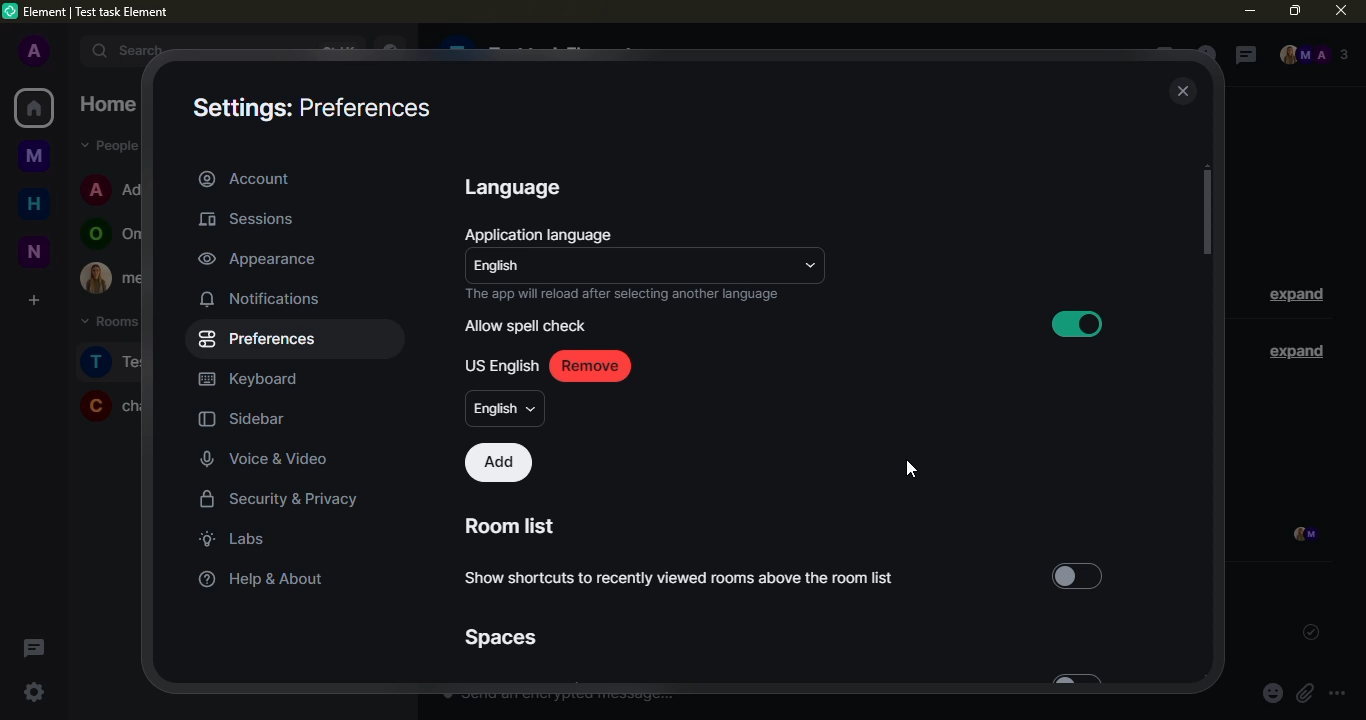  I want to click on preferences, so click(261, 339).